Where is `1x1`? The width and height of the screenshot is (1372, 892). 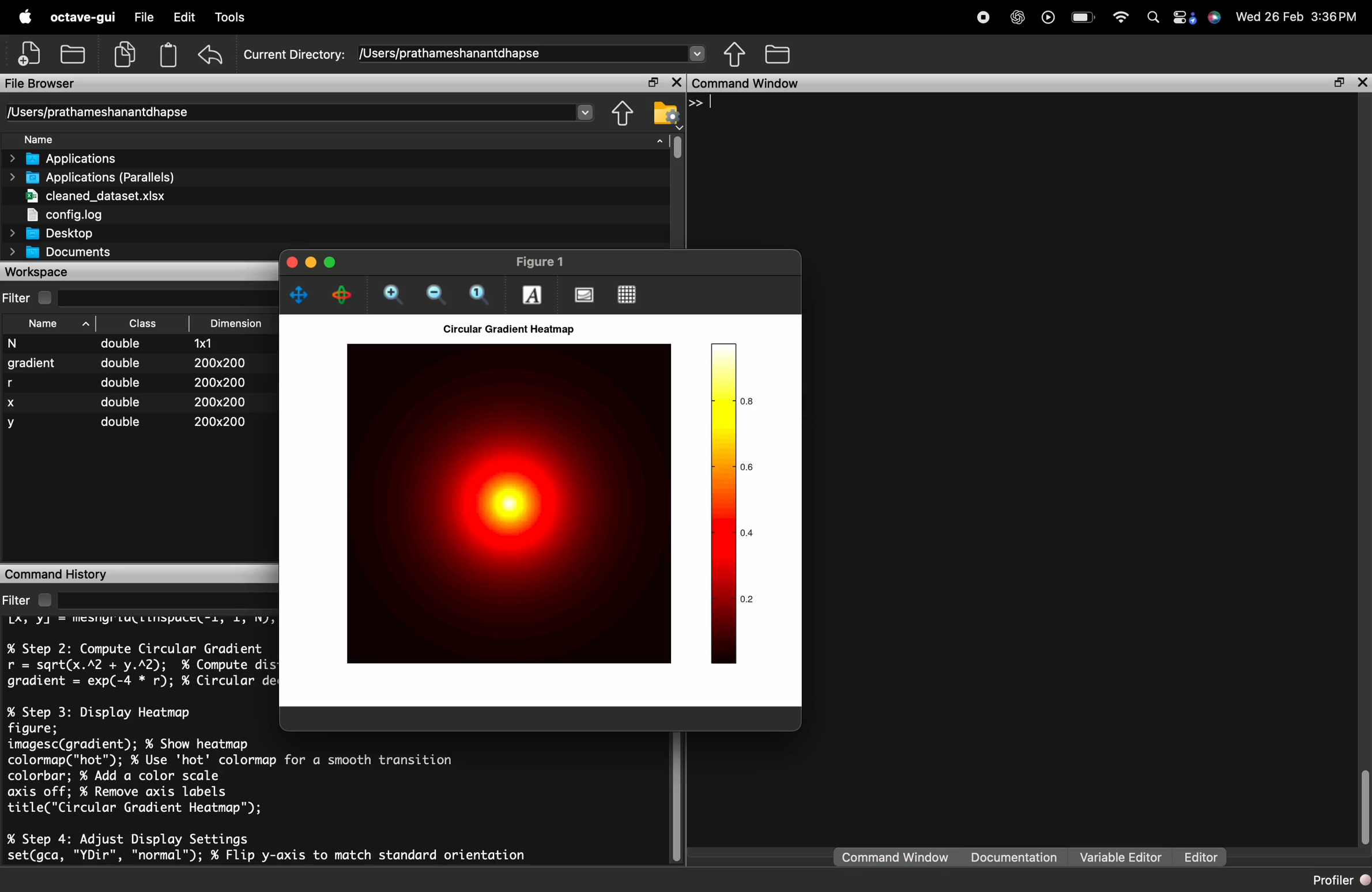 1x1 is located at coordinates (219, 343).